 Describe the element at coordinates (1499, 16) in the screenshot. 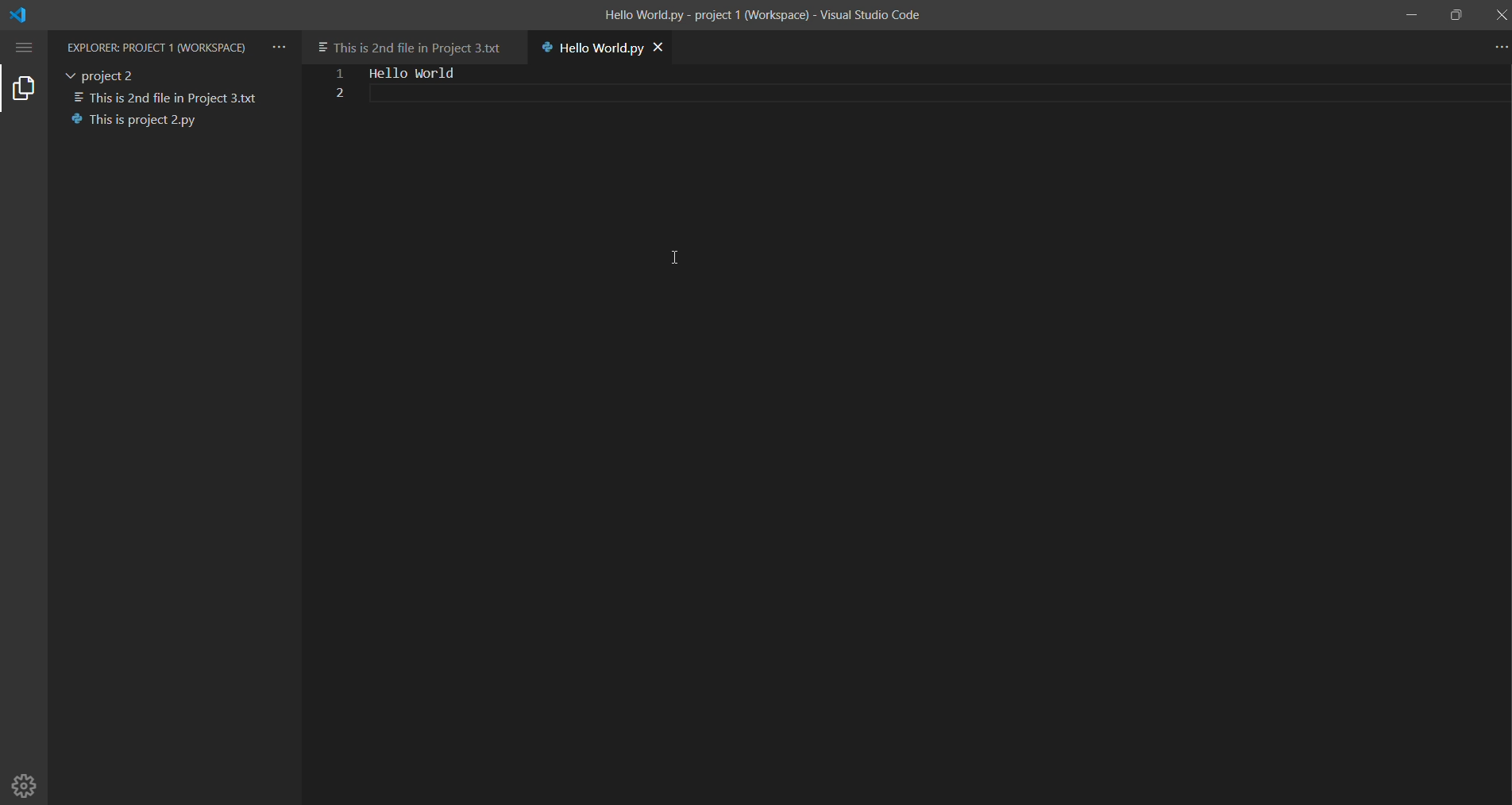

I see `close` at that location.